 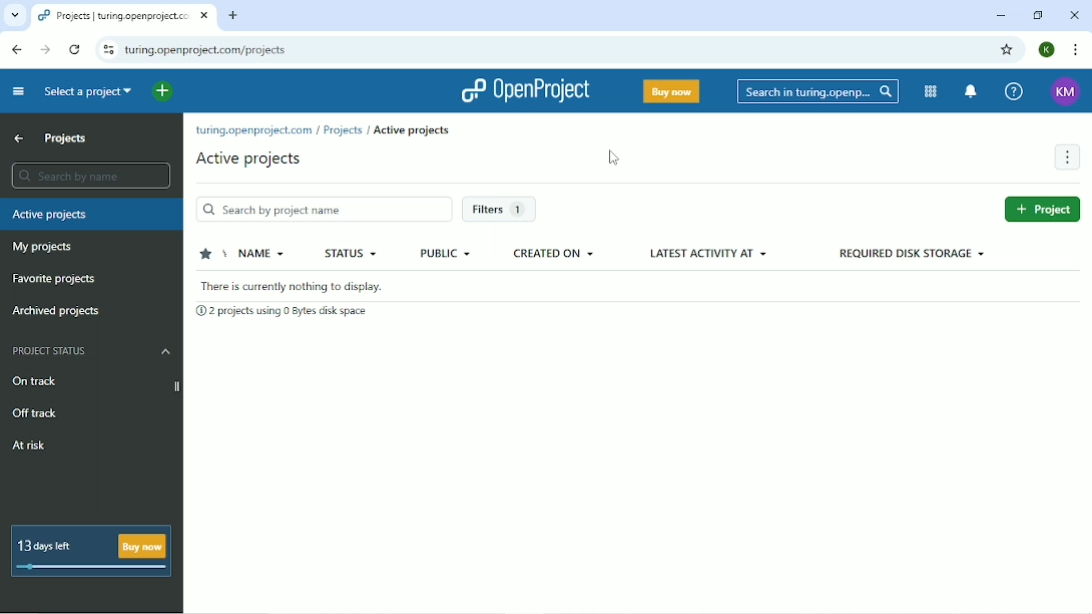 What do you see at coordinates (249, 159) in the screenshot?
I see `Active projects` at bounding box center [249, 159].